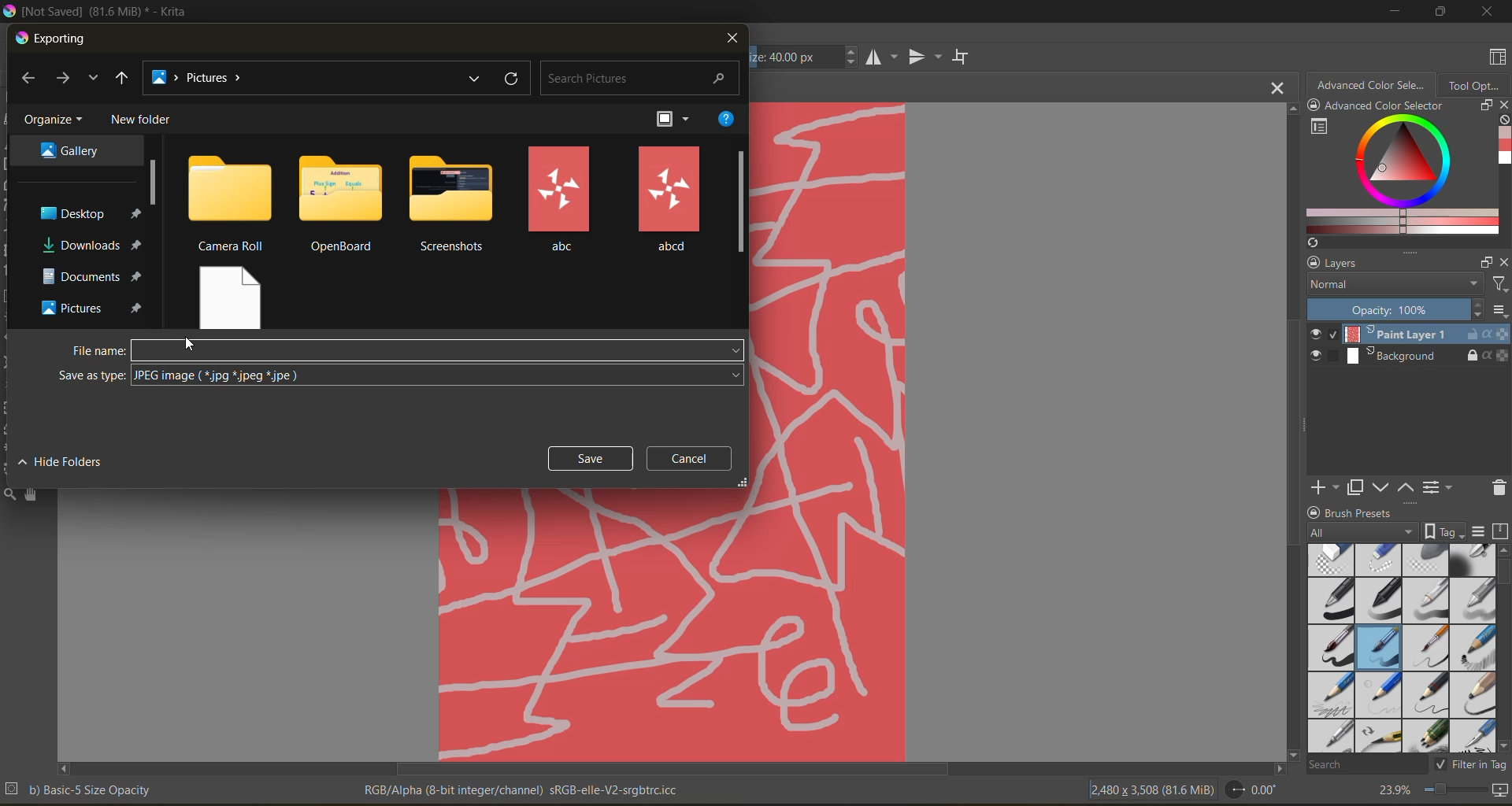 The height and width of the screenshot is (806, 1512). I want to click on size, so click(806, 57).